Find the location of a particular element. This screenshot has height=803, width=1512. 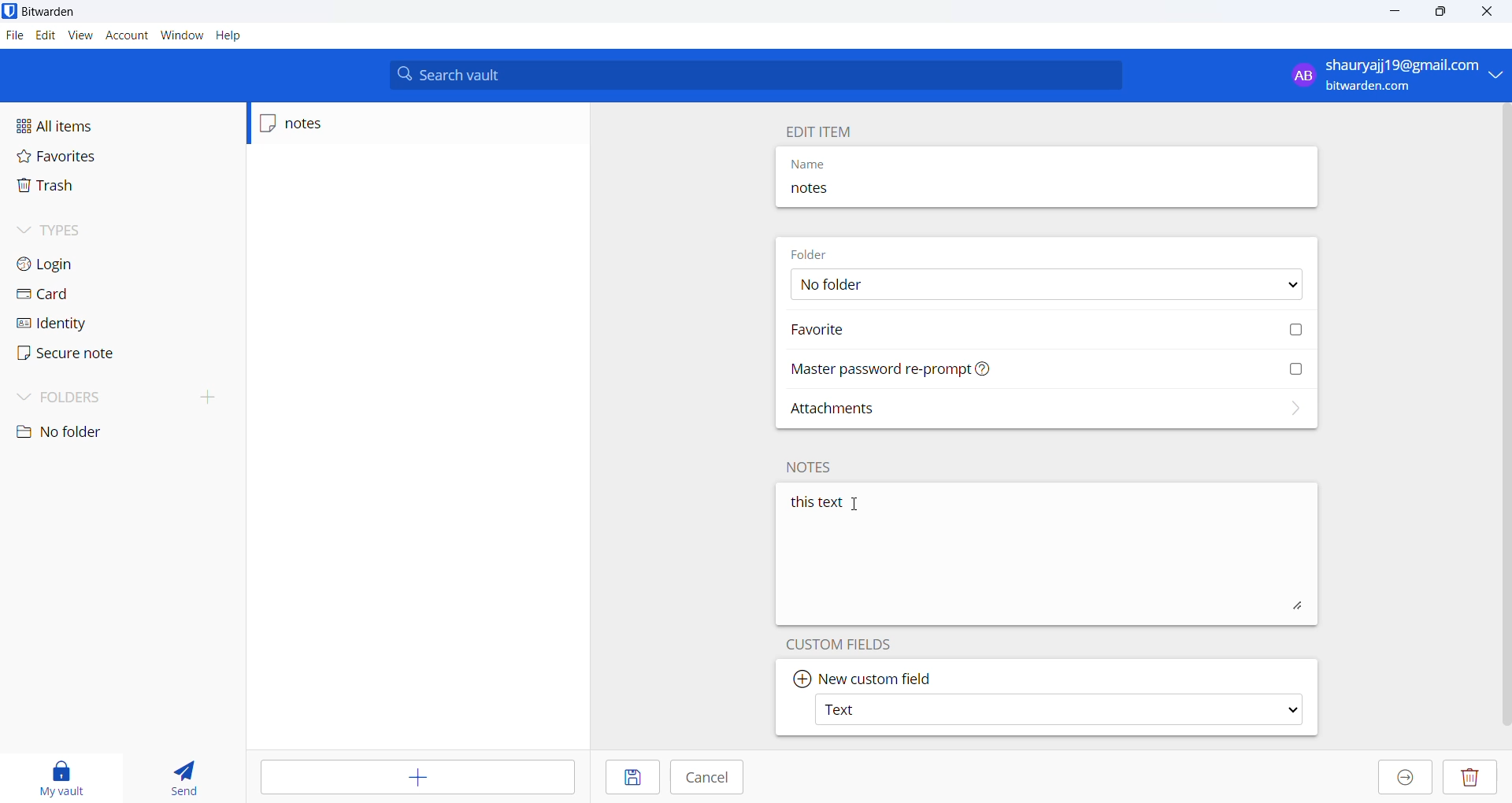

notes is located at coordinates (867, 194).